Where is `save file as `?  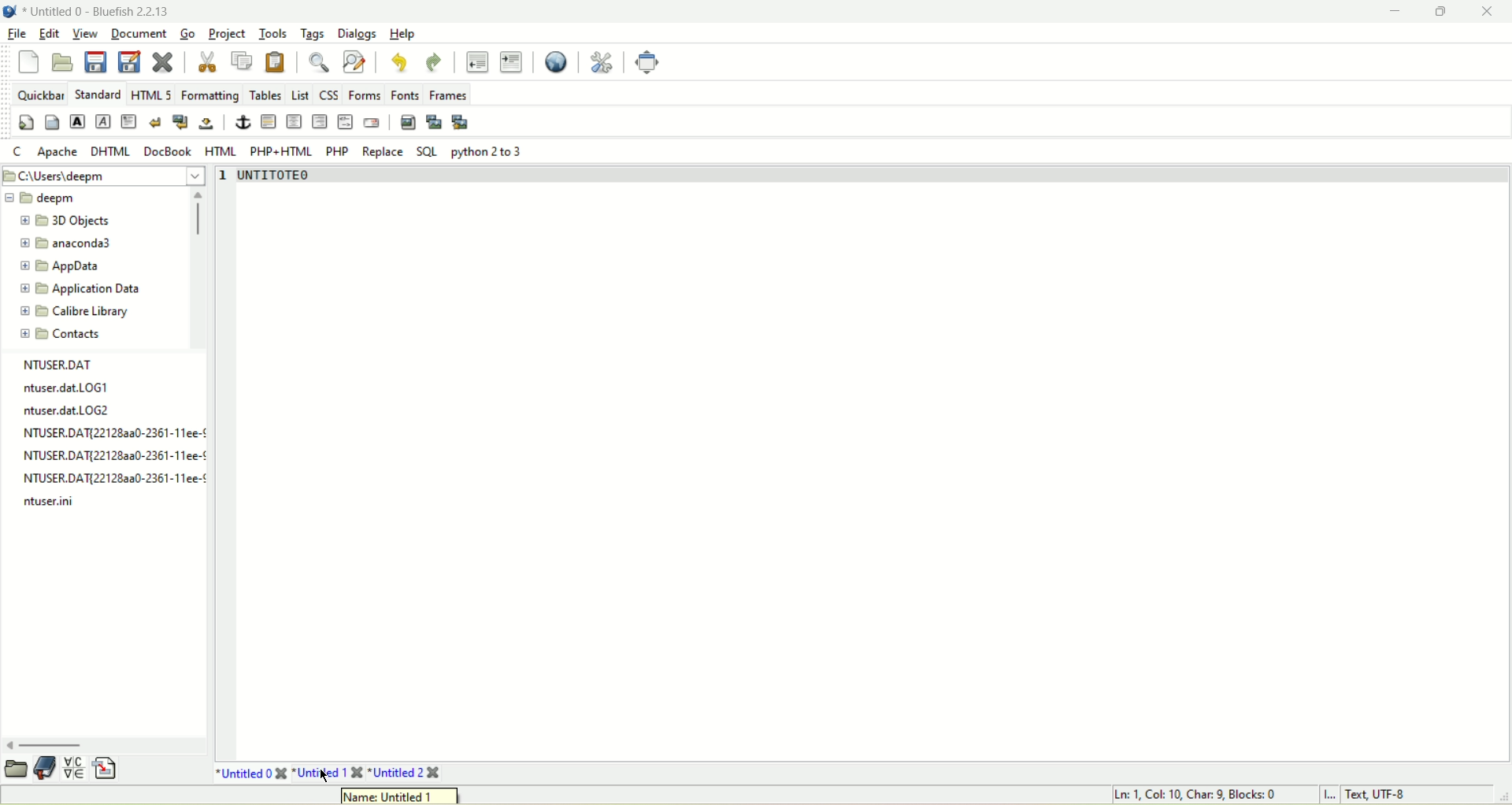
save file as  is located at coordinates (128, 63).